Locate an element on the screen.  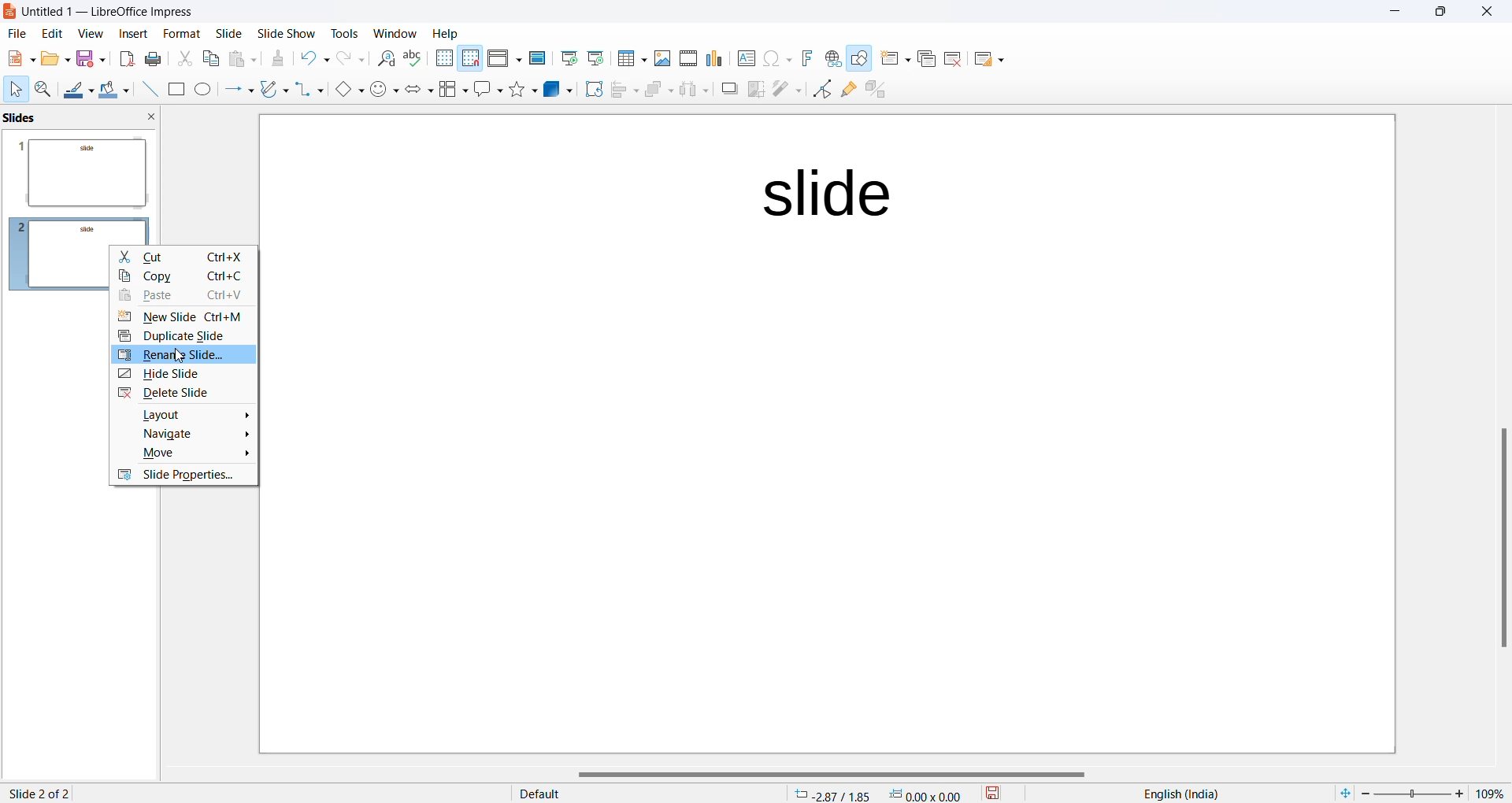
display type is located at coordinates (626, 794).